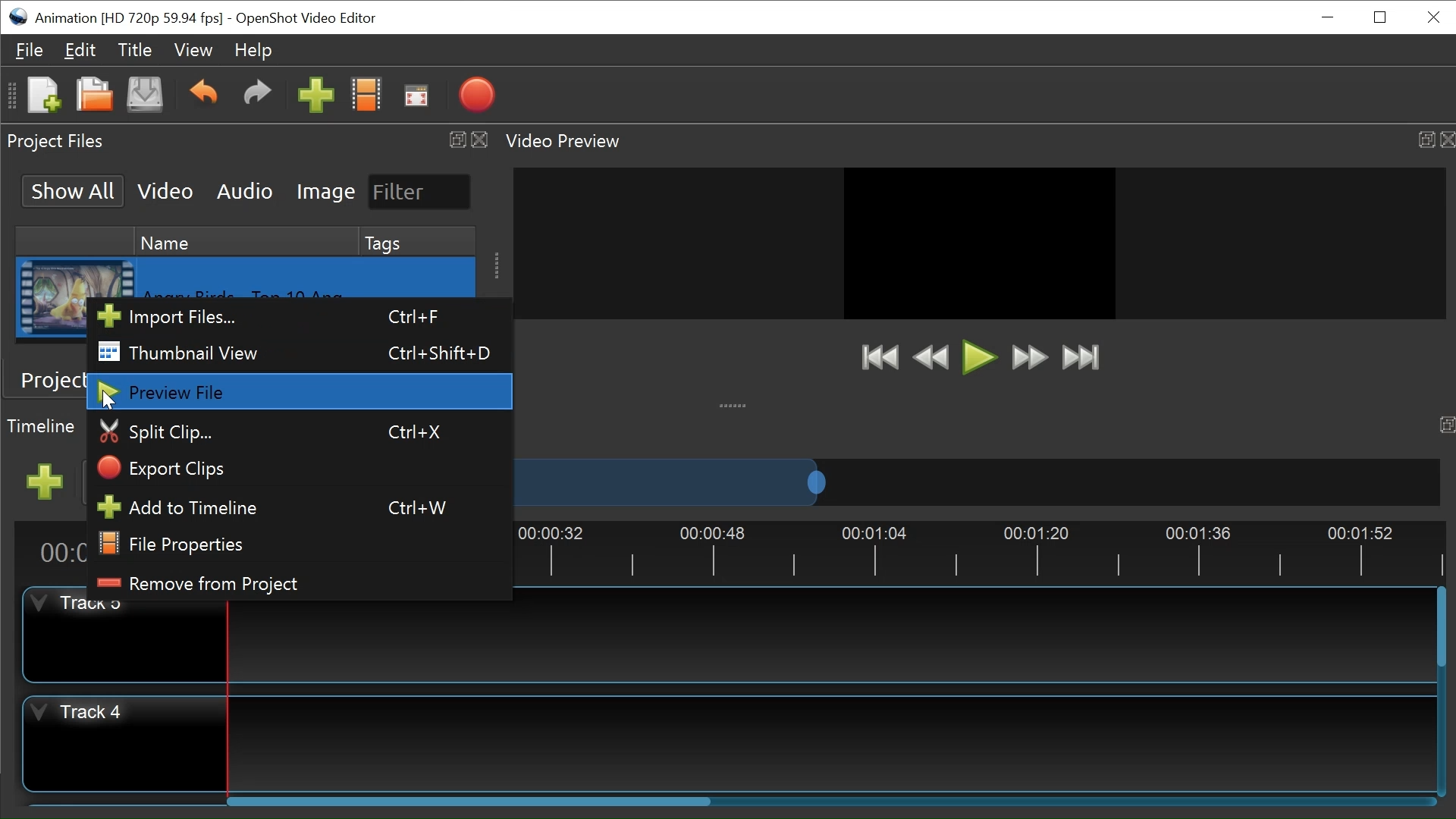  Describe the element at coordinates (121, 743) in the screenshot. I see `Track Header` at that location.